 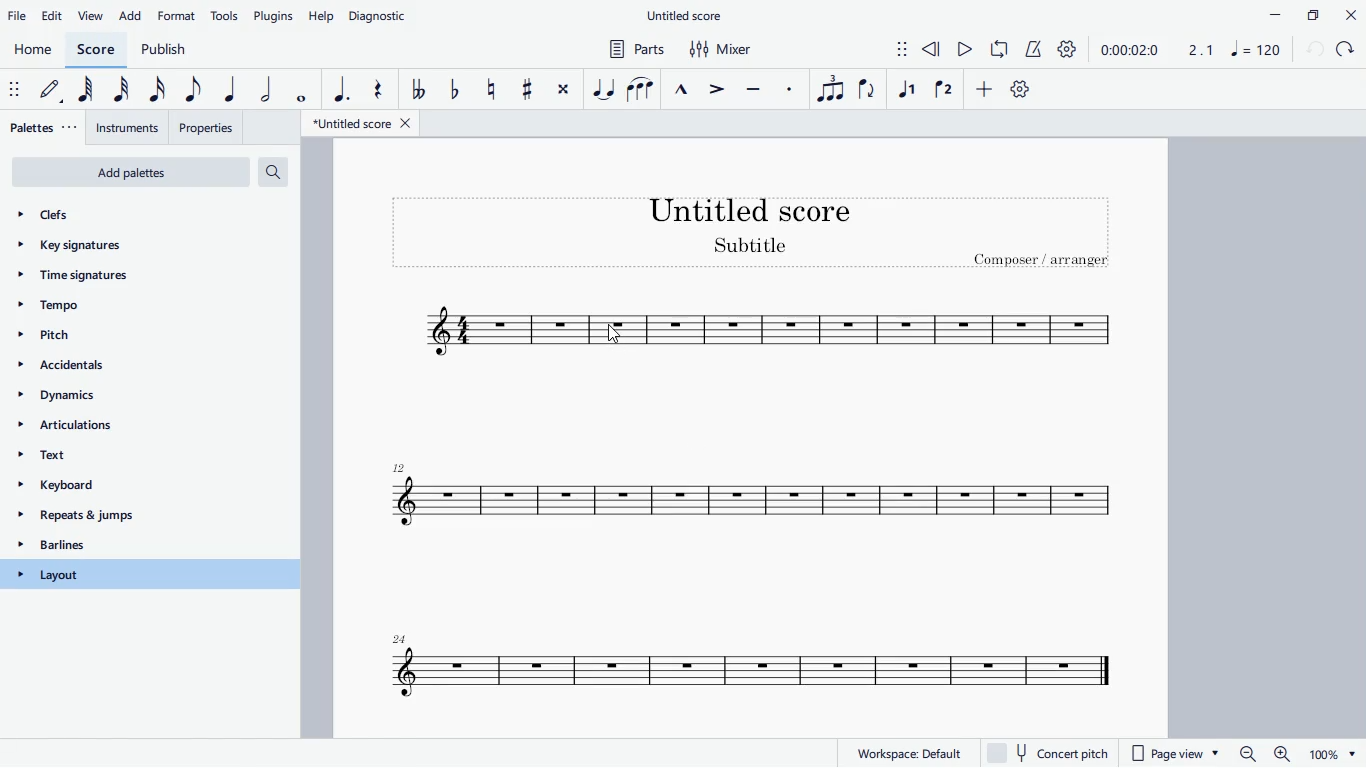 I want to click on 32nd note, so click(x=127, y=89).